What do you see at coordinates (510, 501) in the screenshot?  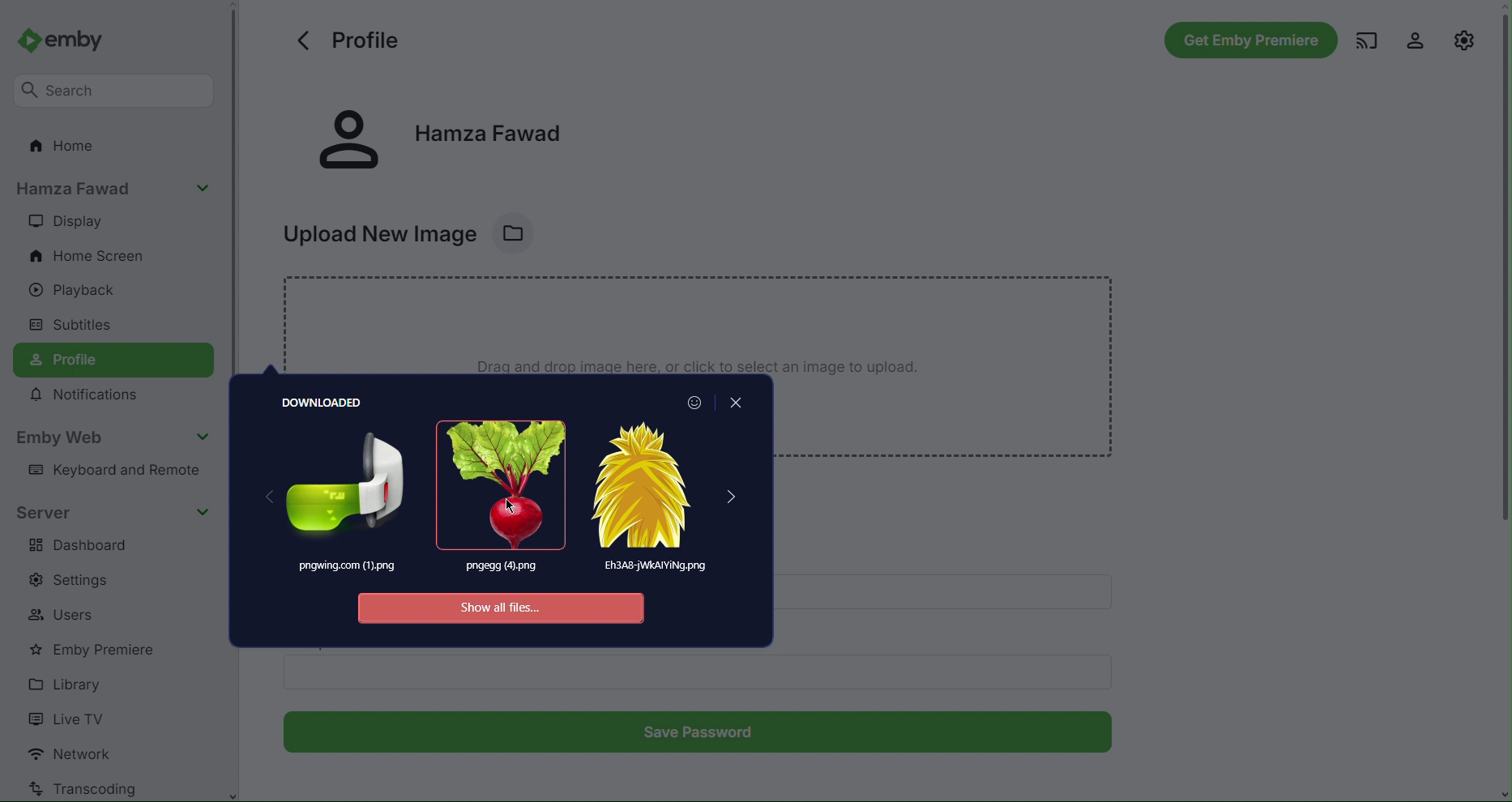 I see `Image 2` at bounding box center [510, 501].